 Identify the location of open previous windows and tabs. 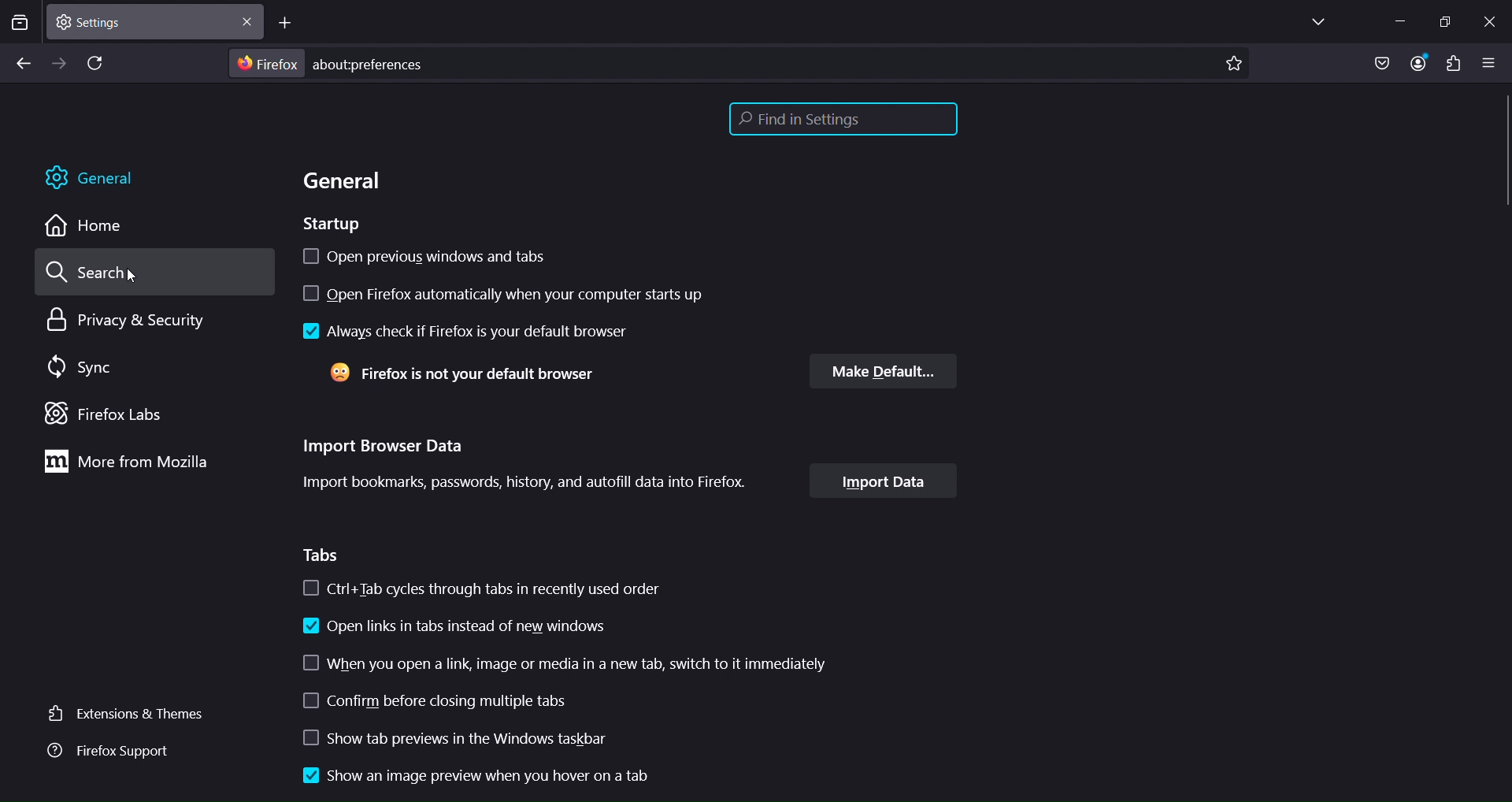
(473, 255).